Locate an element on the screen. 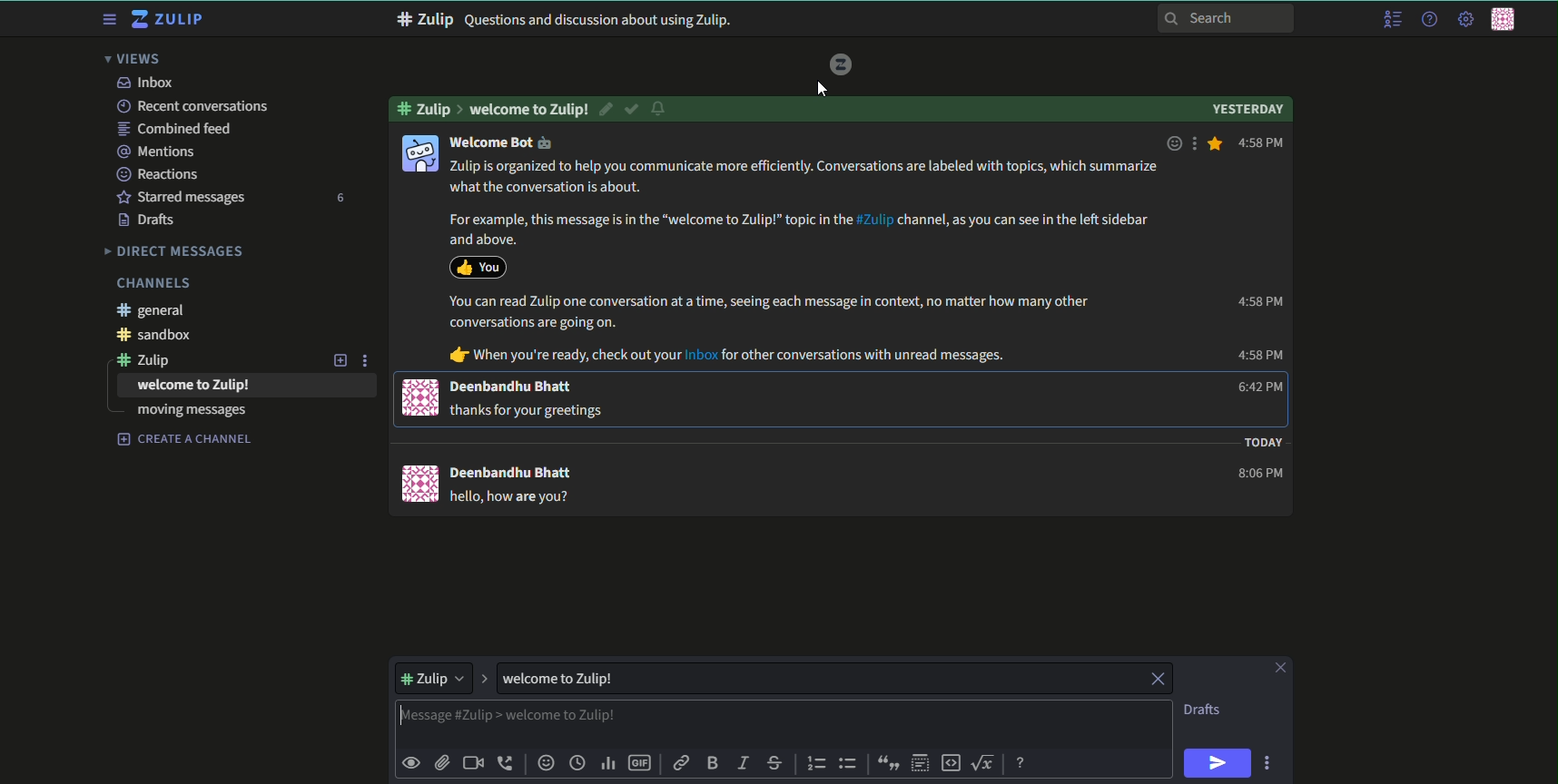 The height and width of the screenshot is (784, 1558). close is located at coordinates (1156, 680).